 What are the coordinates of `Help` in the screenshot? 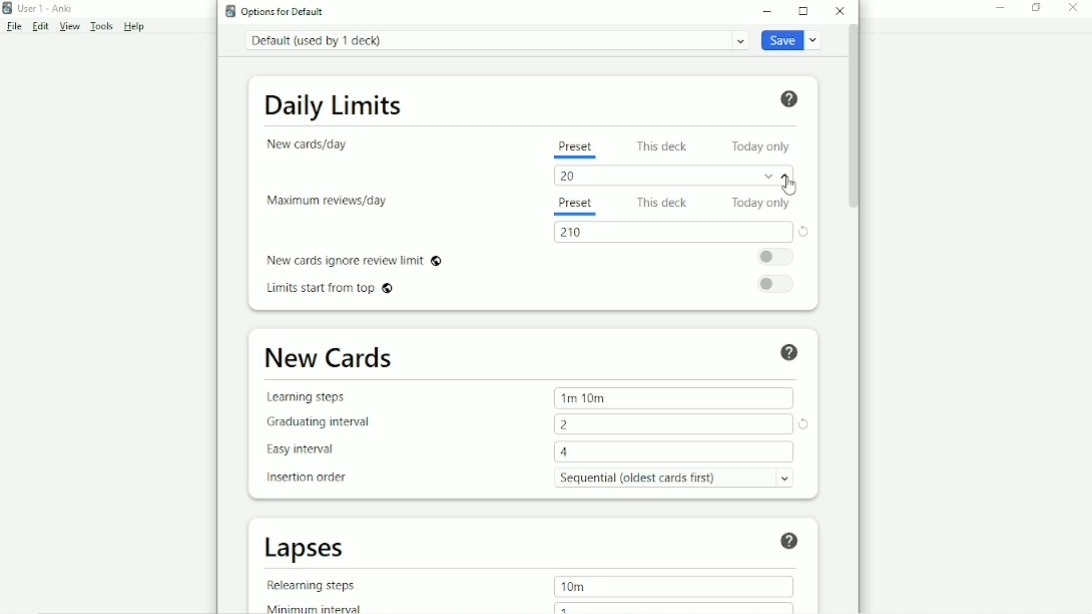 It's located at (136, 27).